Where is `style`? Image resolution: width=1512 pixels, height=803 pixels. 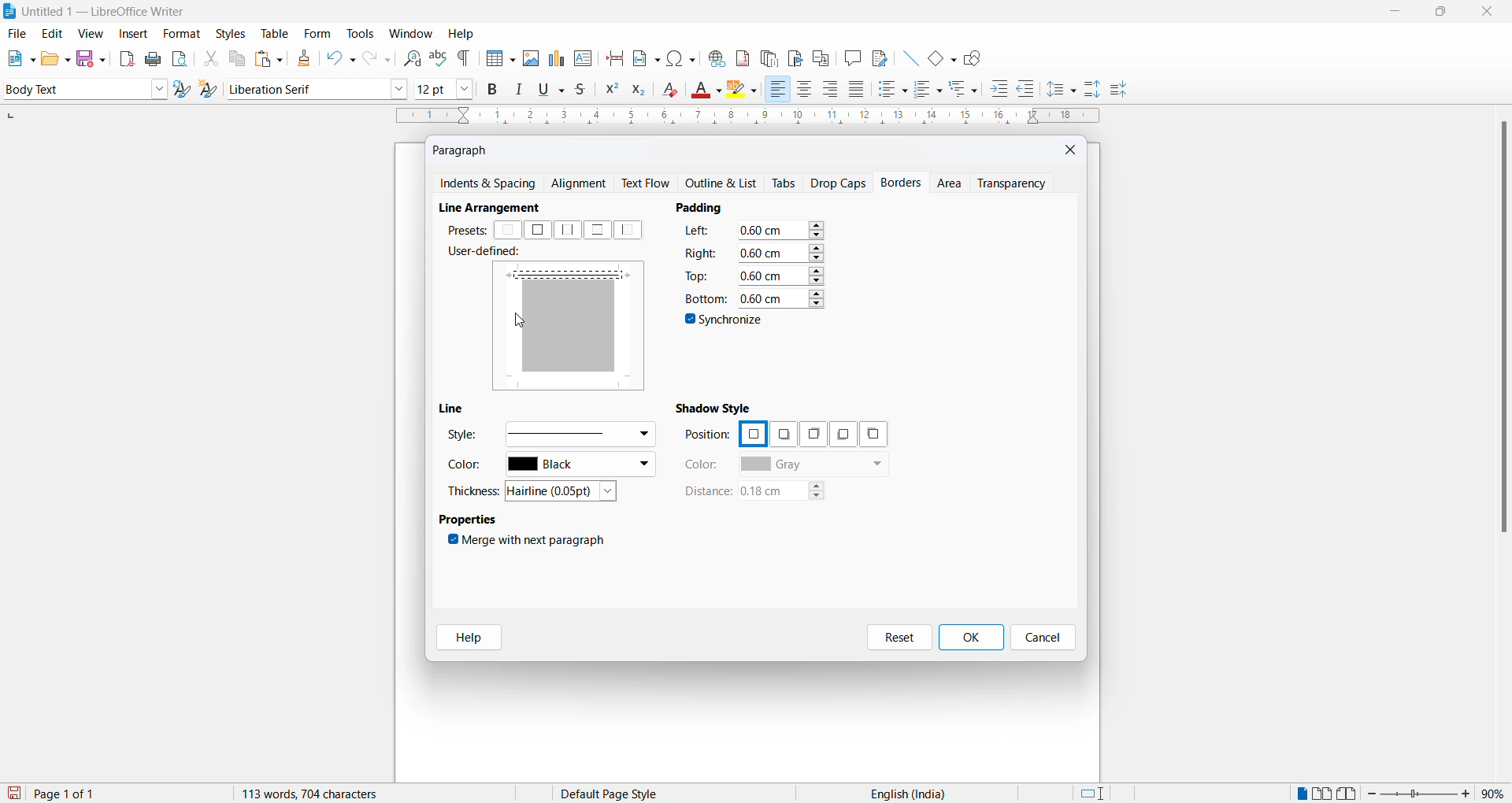 style is located at coordinates (72, 88).